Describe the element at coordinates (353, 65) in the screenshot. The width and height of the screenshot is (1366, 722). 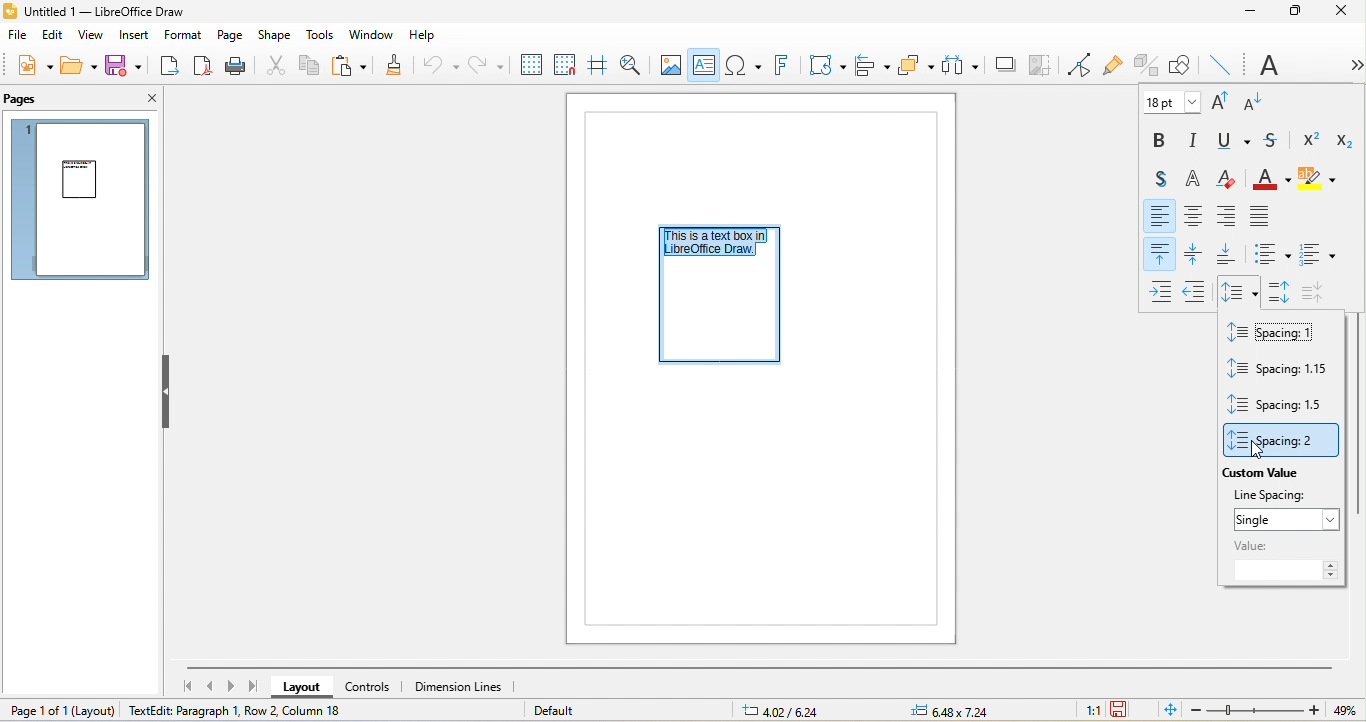
I see `paste` at that location.